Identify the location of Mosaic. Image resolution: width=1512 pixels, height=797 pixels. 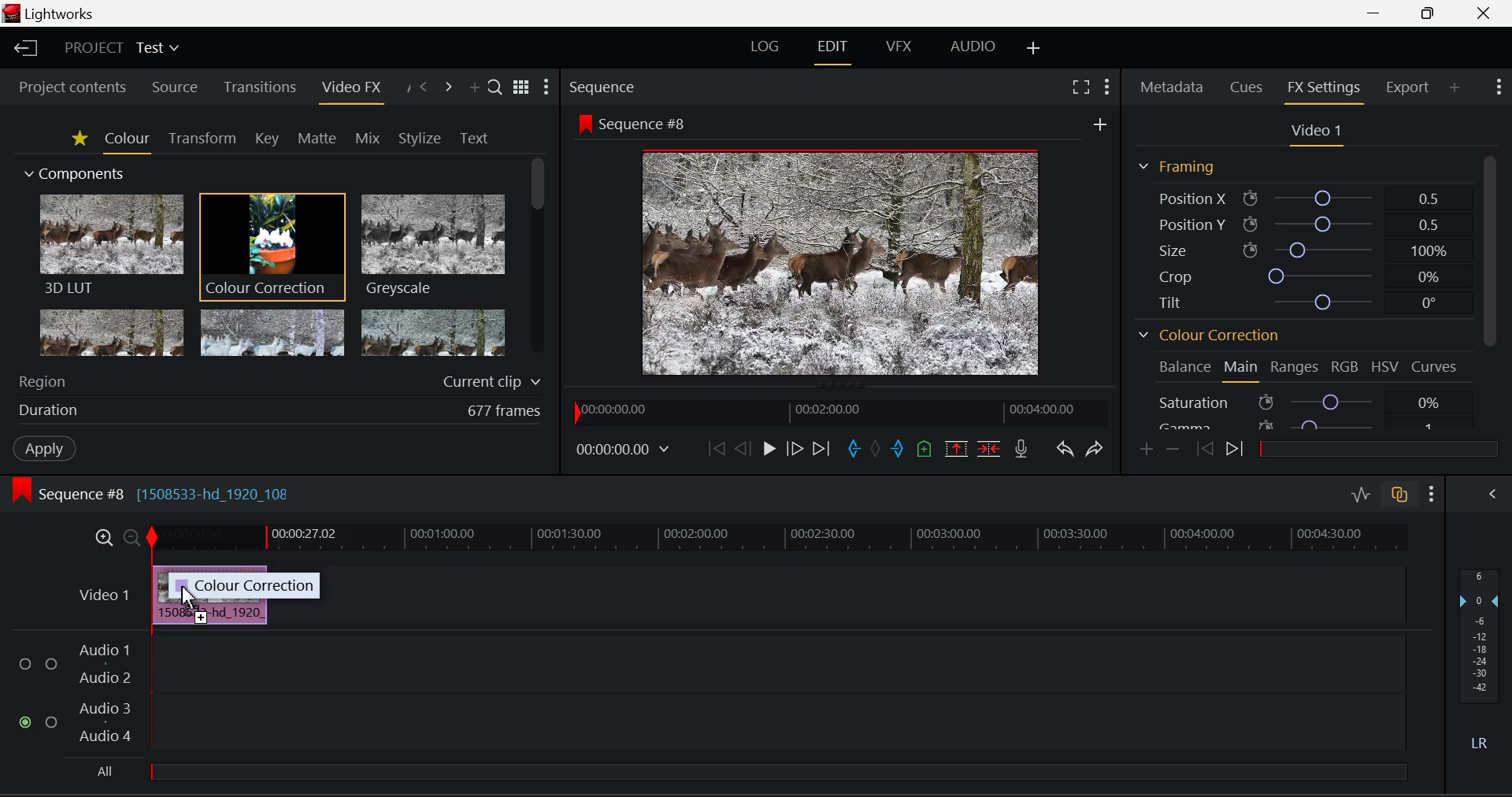
(270, 332).